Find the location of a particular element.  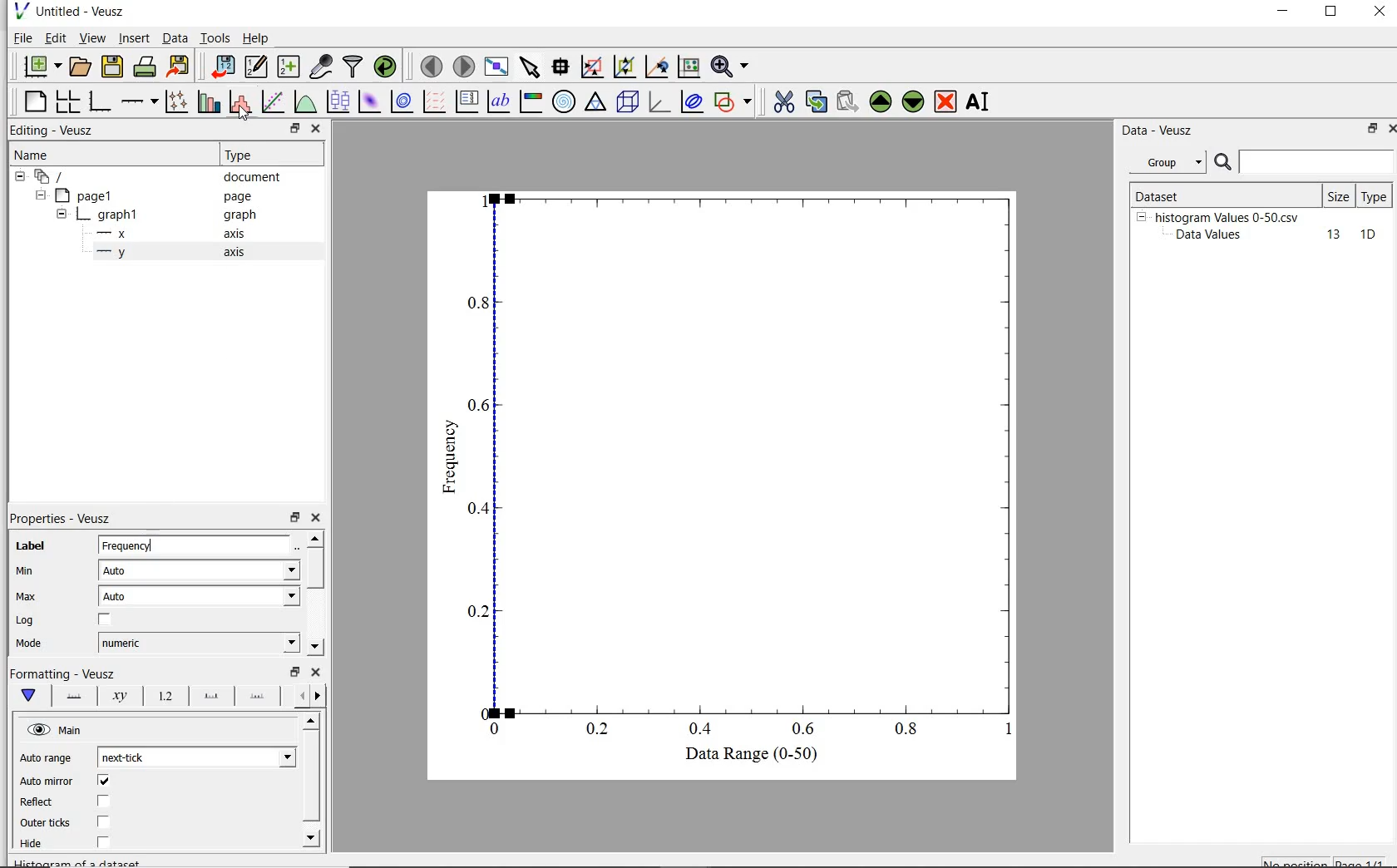

move to previous page is located at coordinates (431, 67).